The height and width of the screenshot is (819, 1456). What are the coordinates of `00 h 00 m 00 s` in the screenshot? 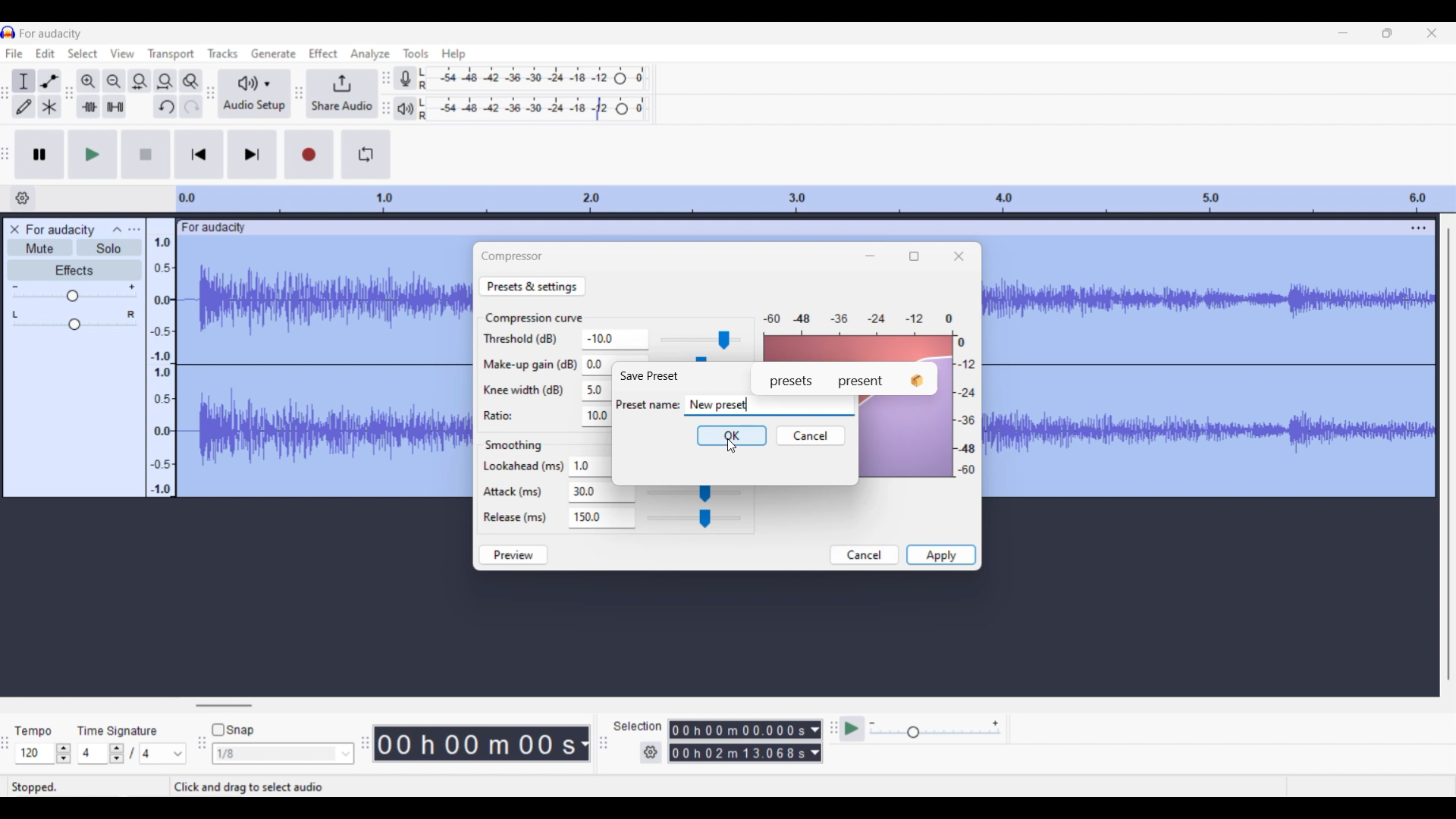 It's located at (475, 743).